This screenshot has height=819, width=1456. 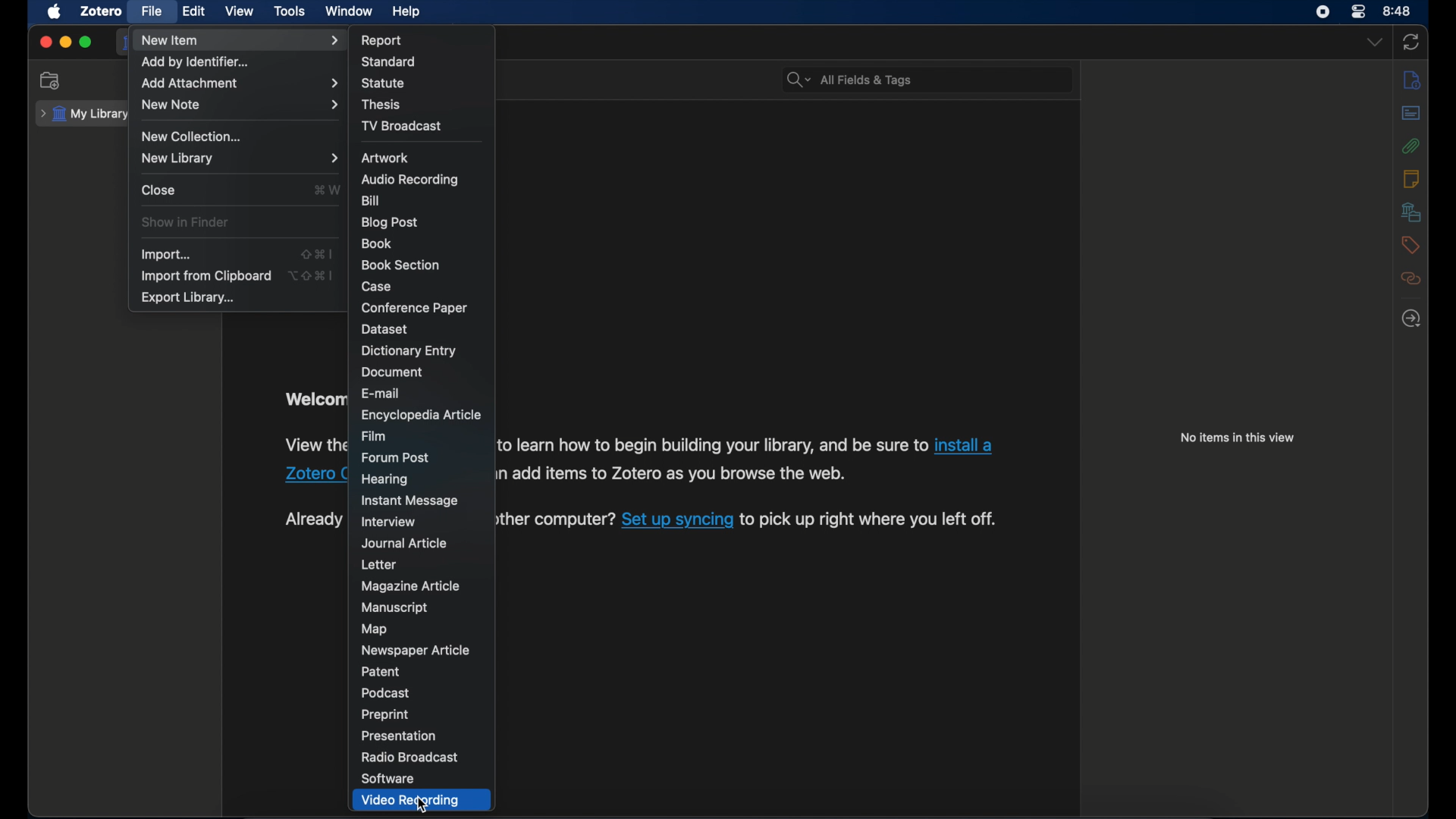 What do you see at coordinates (310, 275) in the screenshot?
I see `shortcut` at bounding box center [310, 275].